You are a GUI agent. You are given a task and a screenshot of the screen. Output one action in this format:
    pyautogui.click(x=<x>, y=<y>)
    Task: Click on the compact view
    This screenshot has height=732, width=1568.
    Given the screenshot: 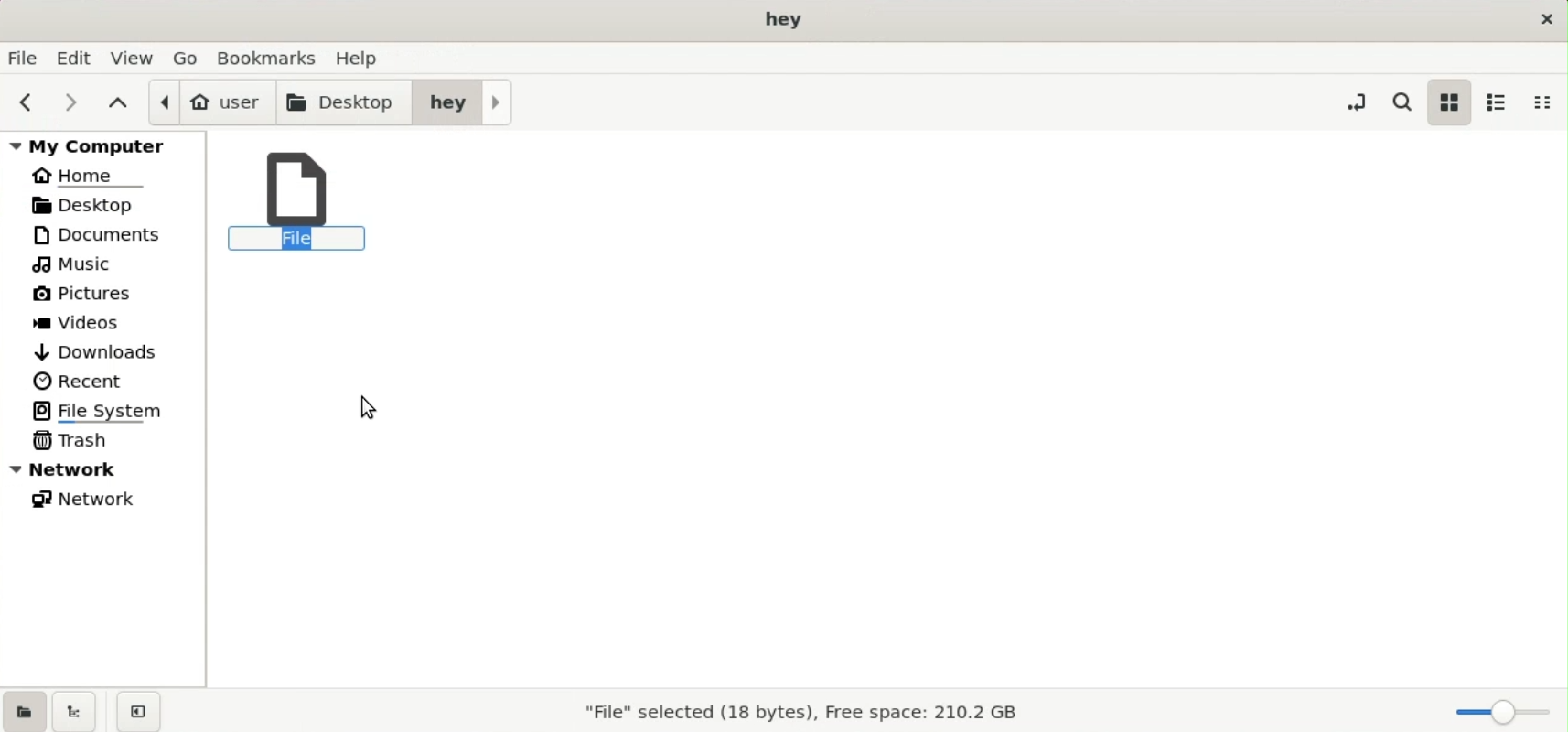 What is the action you would take?
    pyautogui.click(x=1548, y=102)
    